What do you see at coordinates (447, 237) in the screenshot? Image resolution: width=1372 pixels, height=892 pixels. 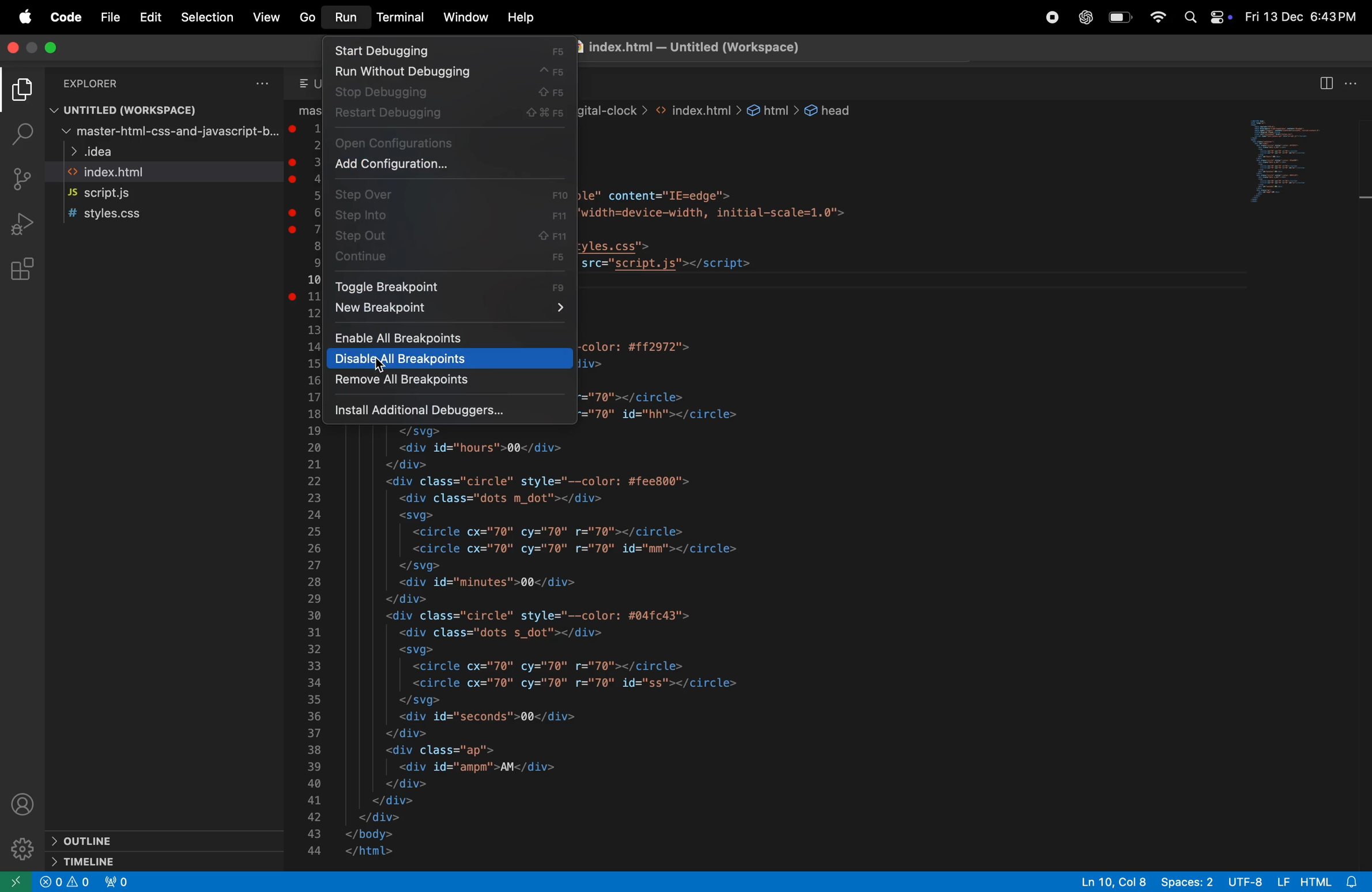 I see `step out` at bounding box center [447, 237].